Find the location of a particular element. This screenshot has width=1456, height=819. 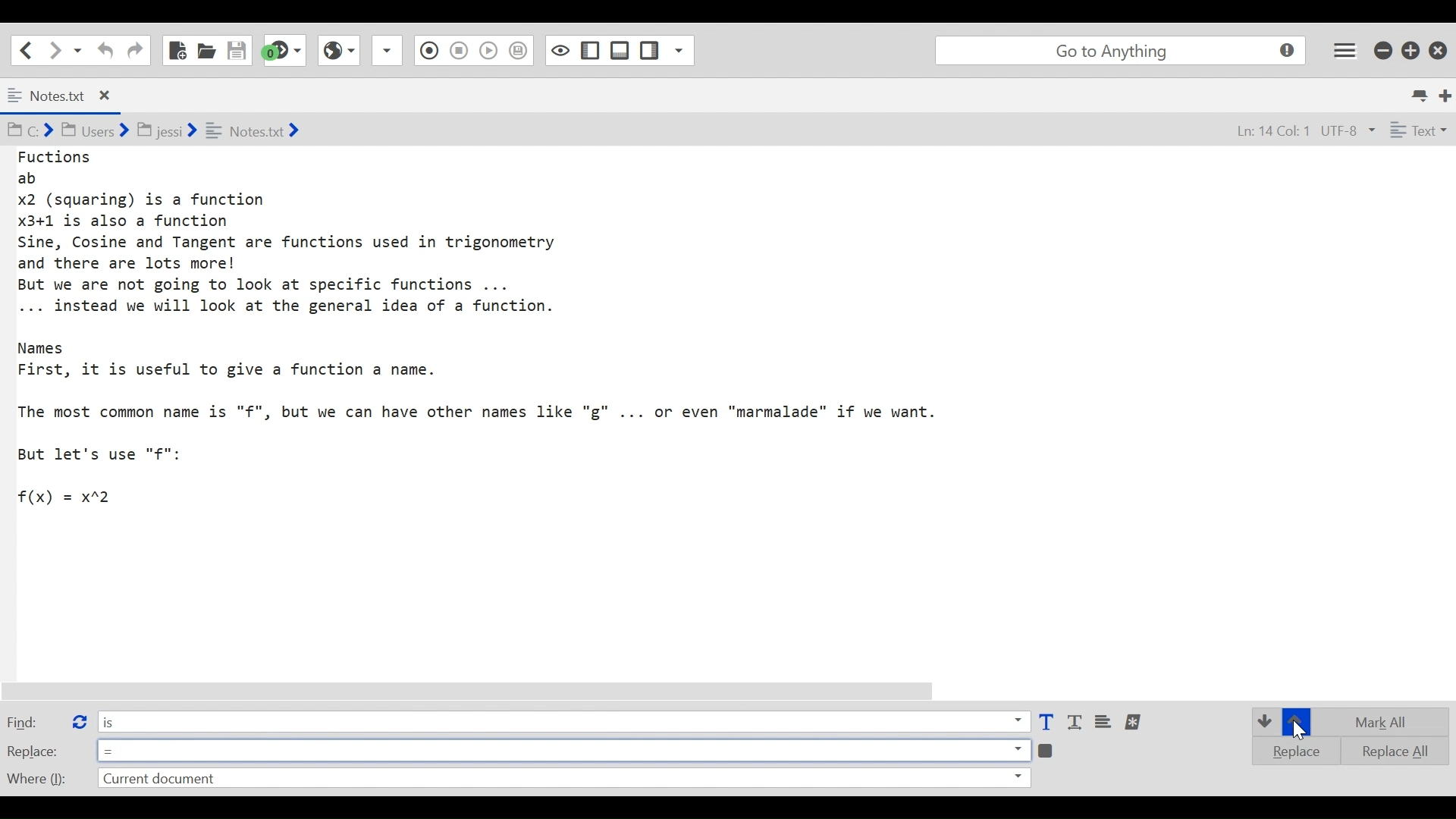

Show/Hide Right pane is located at coordinates (559, 49).